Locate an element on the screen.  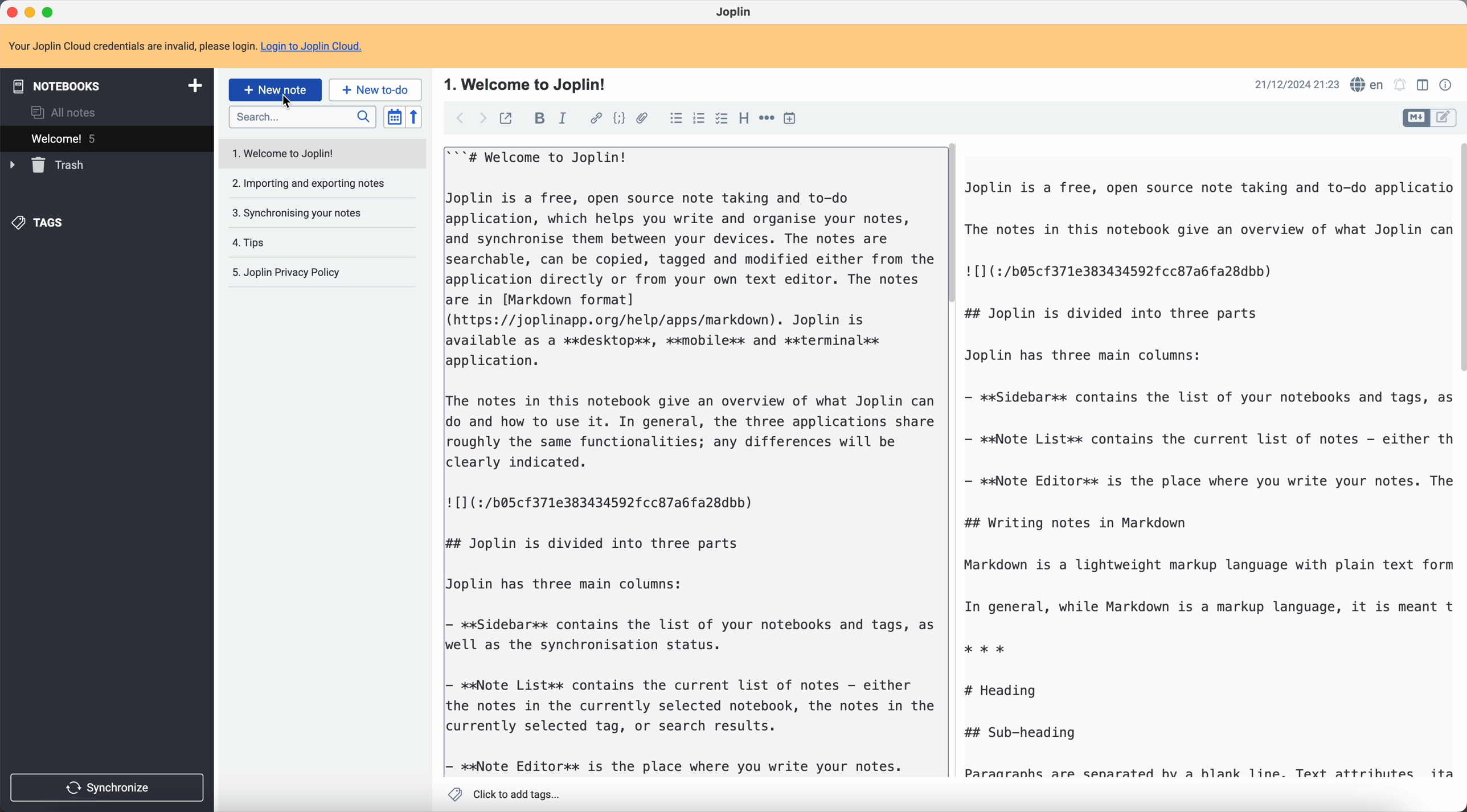
Joplin is located at coordinates (733, 11).